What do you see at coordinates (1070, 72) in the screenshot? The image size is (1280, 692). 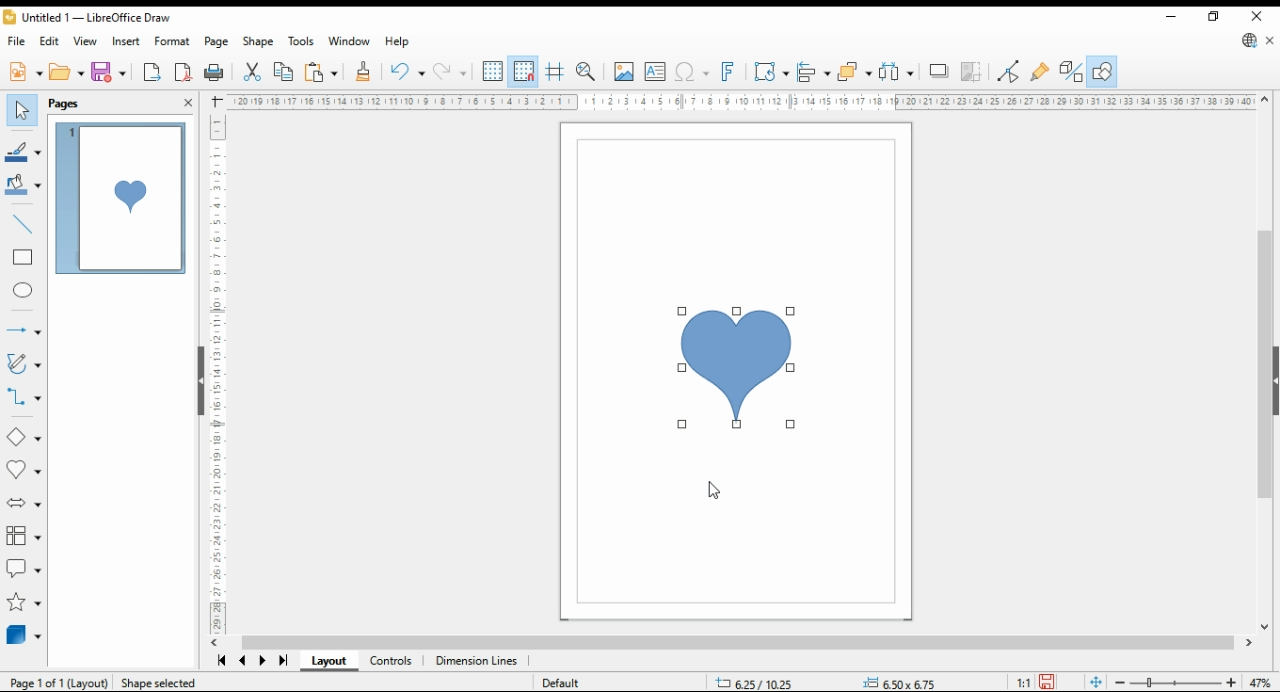 I see `toggle extrusions` at bounding box center [1070, 72].